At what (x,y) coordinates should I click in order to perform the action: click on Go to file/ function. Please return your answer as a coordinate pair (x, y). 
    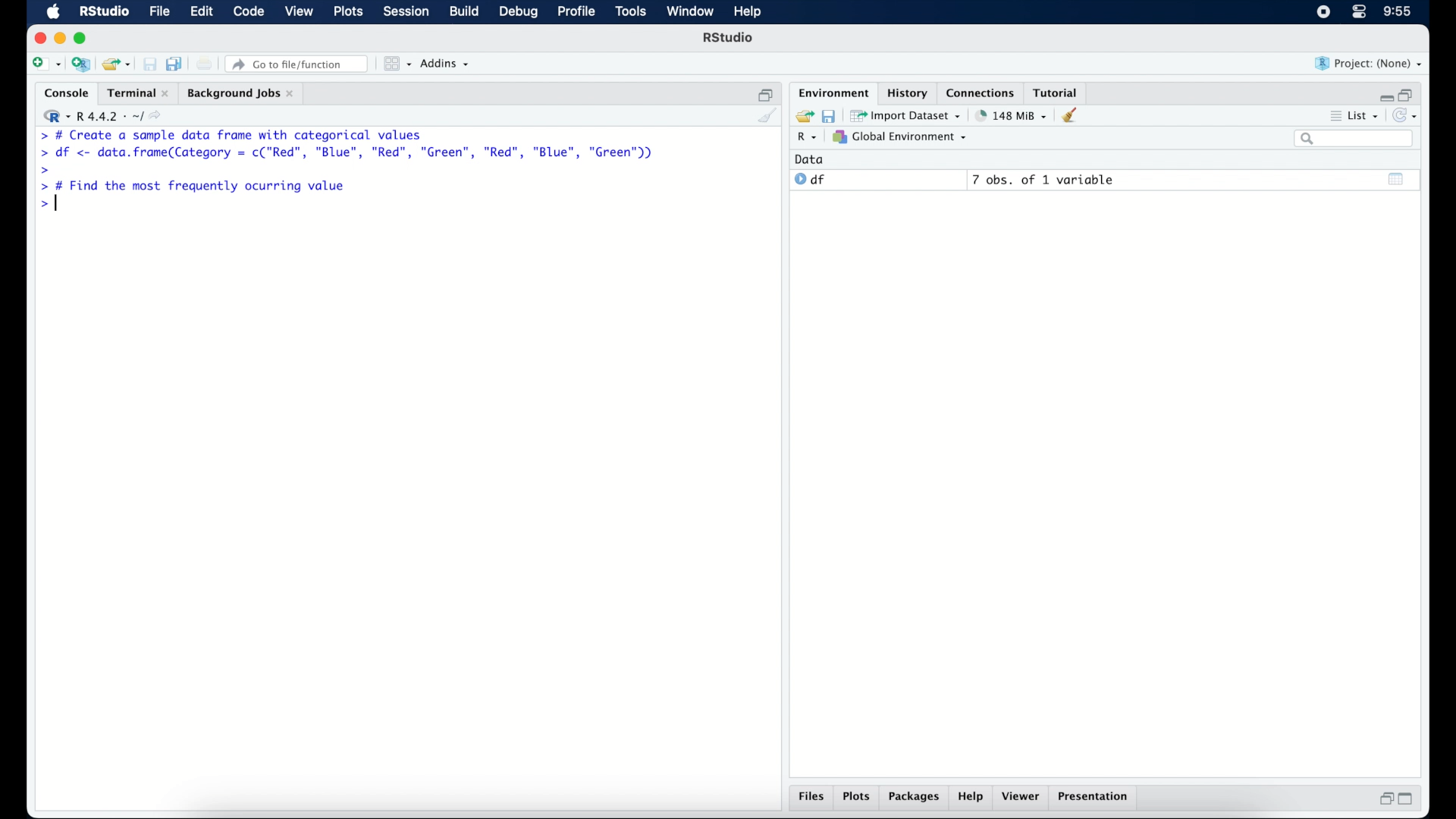
    Looking at the image, I should click on (300, 63).